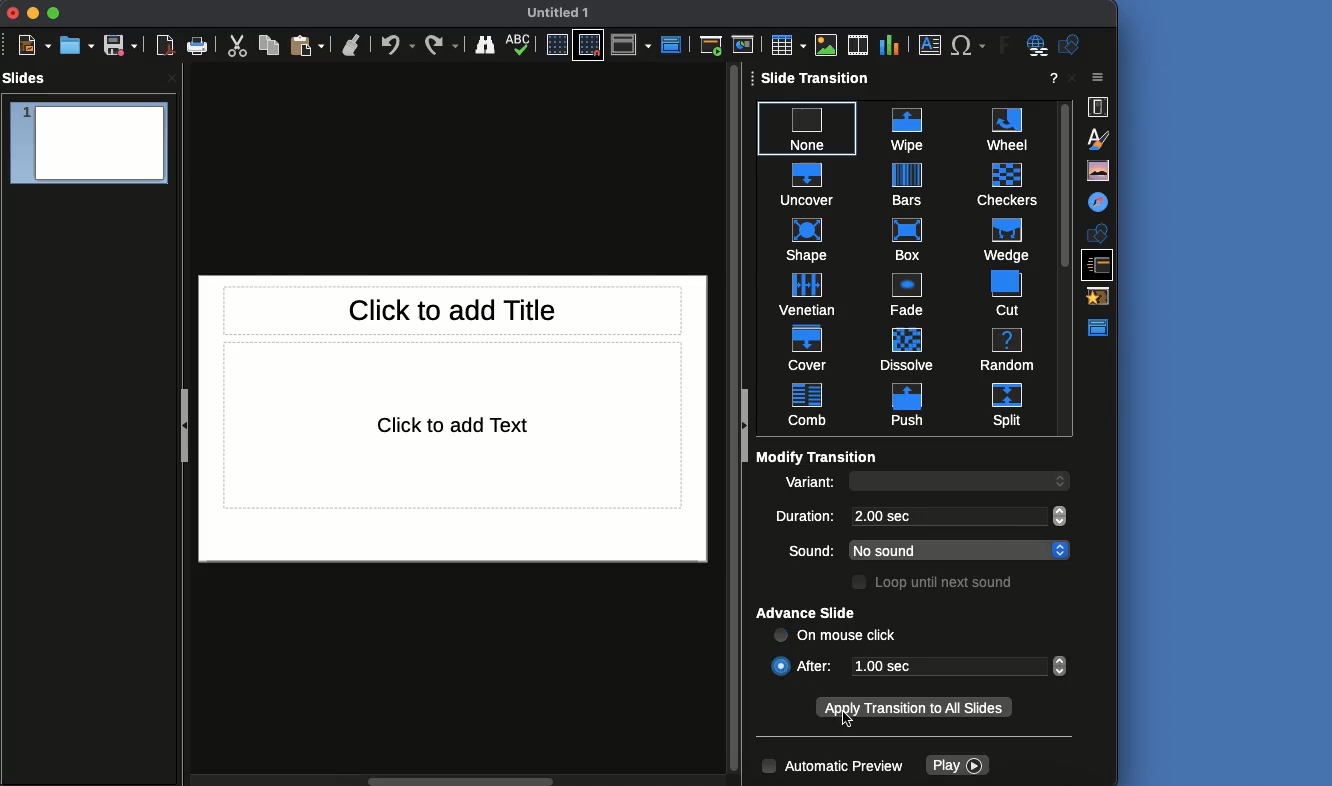 The width and height of the screenshot is (1332, 786). I want to click on Slide transition, so click(817, 78).